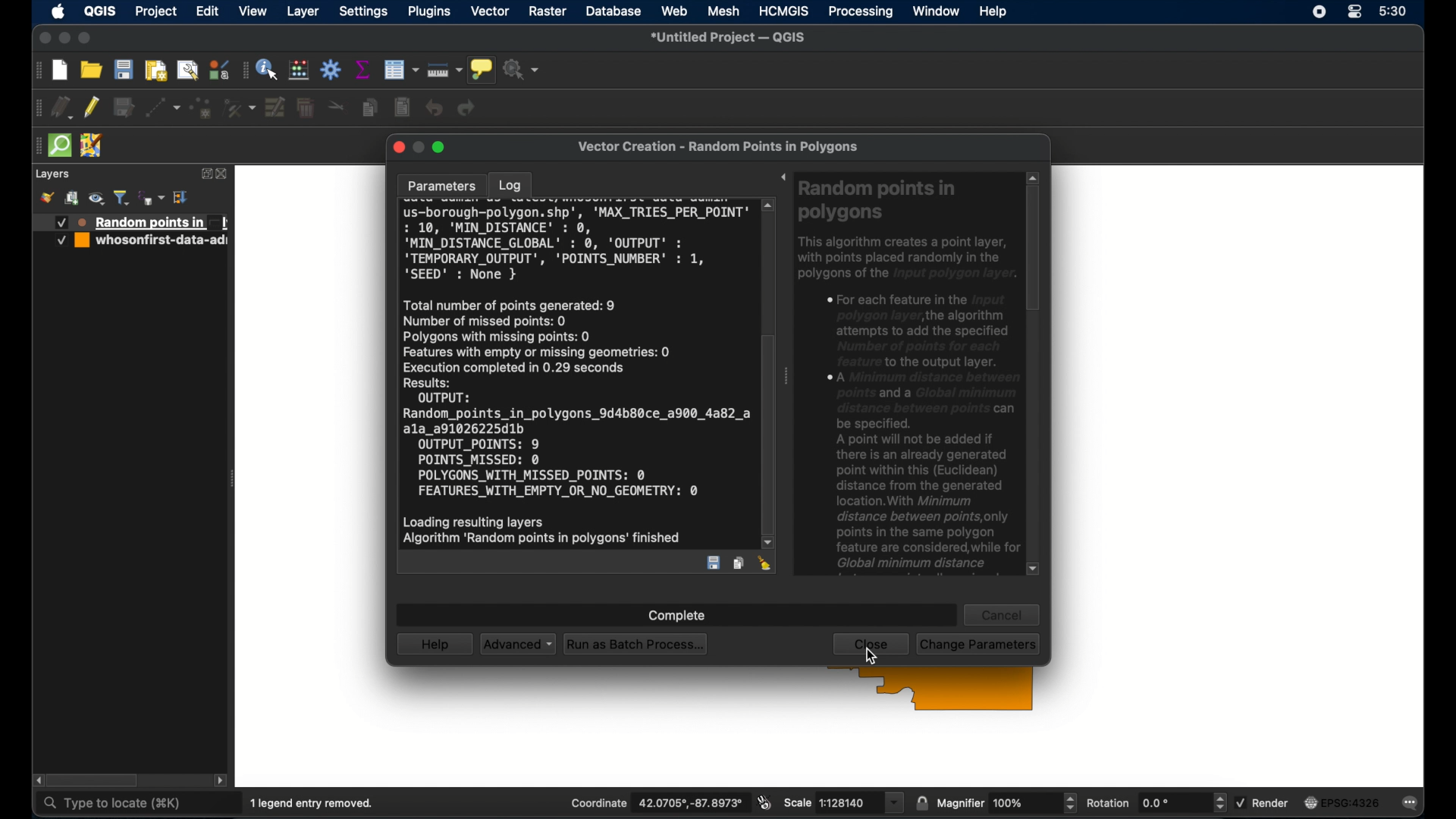 Image resolution: width=1456 pixels, height=819 pixels. I want to click on new project, so click(60, 70).